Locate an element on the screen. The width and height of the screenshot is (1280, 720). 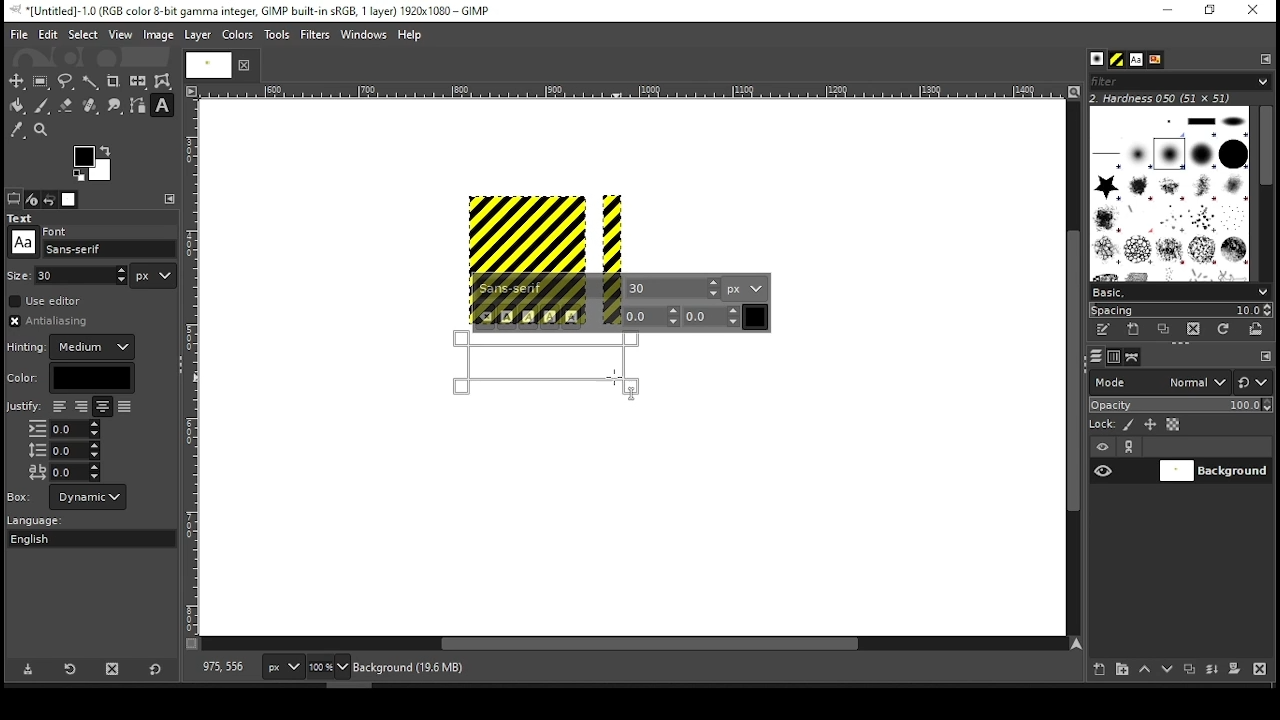
close is located at coordinates (242, 65).